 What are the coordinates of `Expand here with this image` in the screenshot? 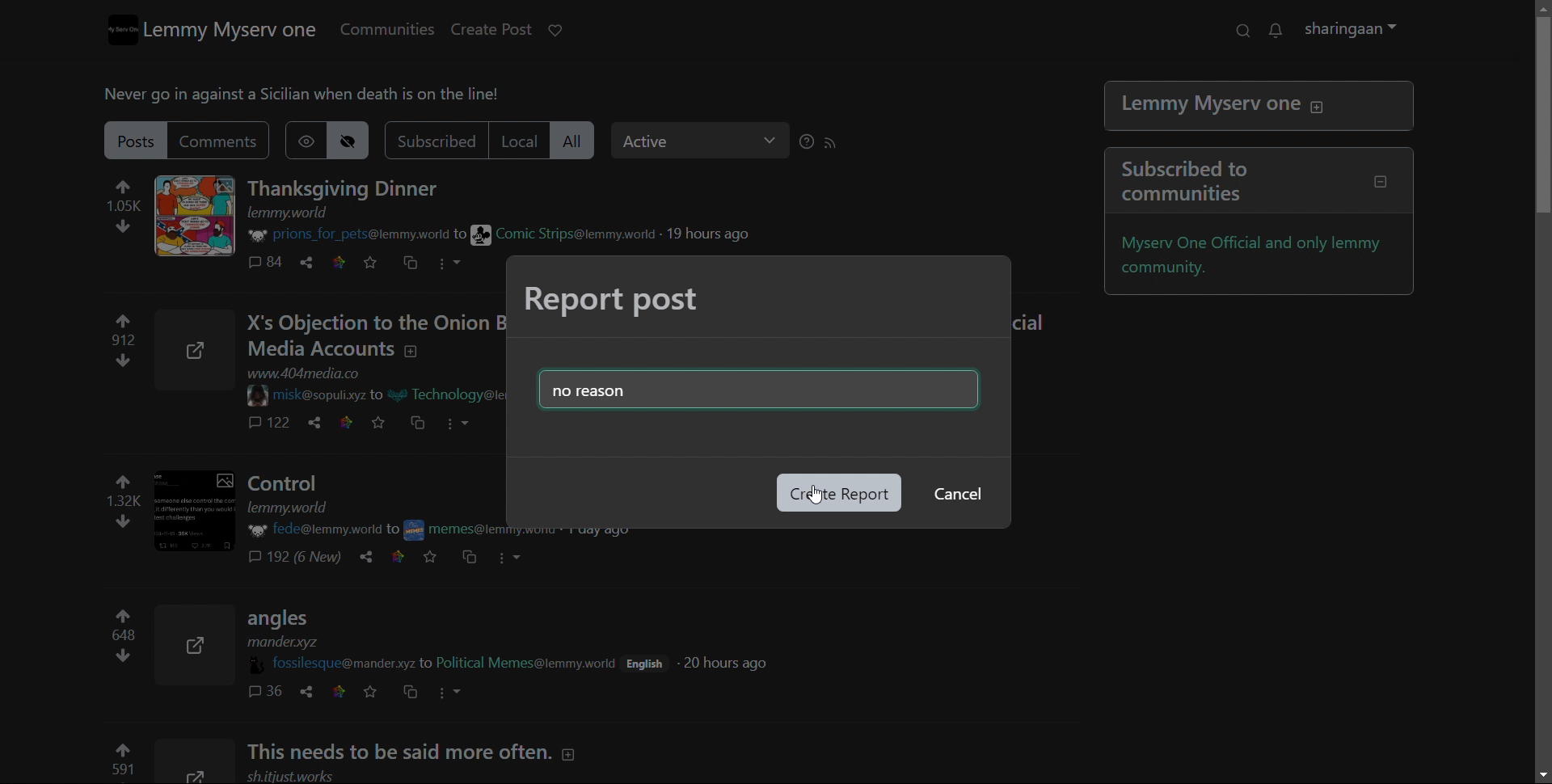 It's located at (204, 512).